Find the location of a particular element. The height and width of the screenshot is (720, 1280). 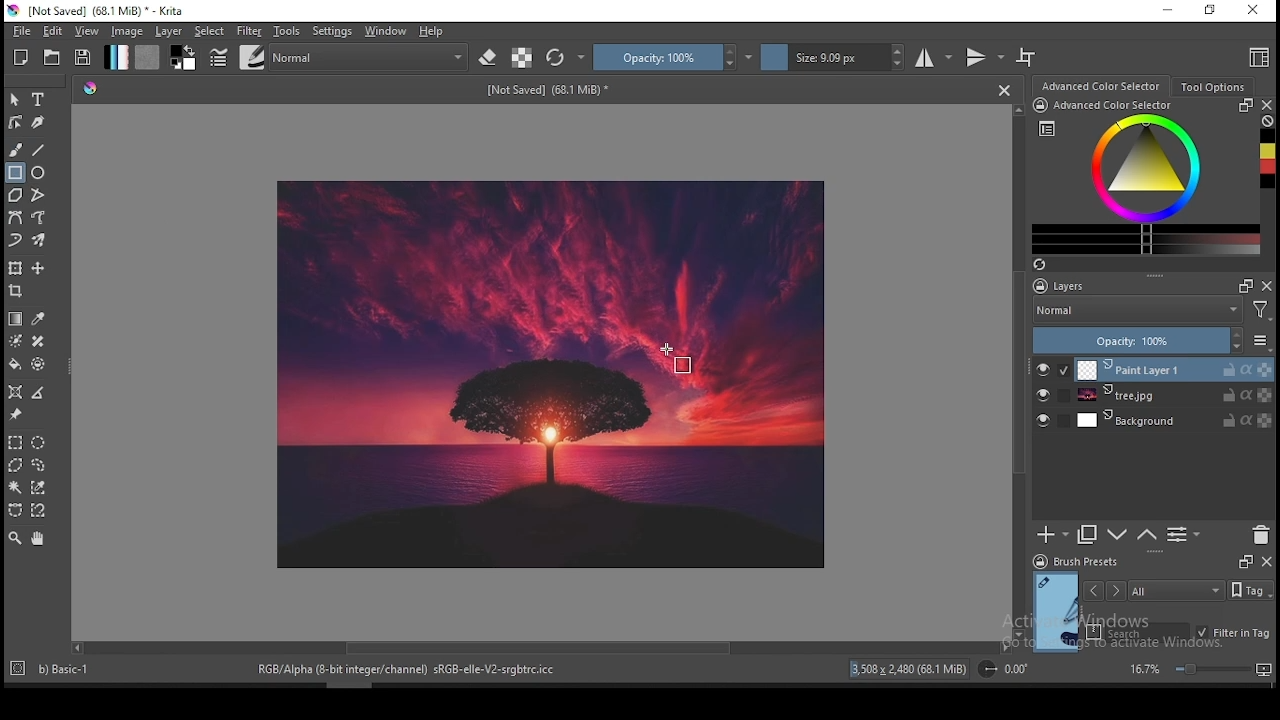

choose workspace is located at coordinates (1257, 59).